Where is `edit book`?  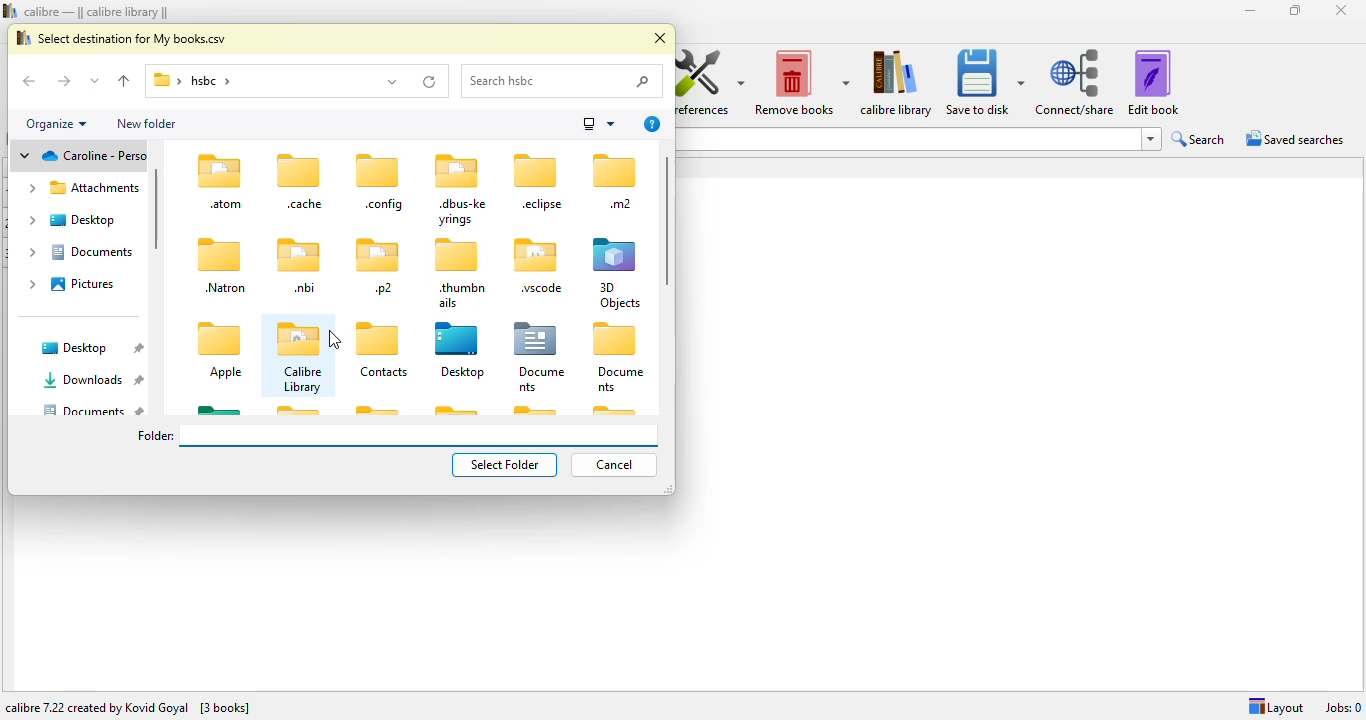 edit book is located at coordinates (1153, 82).